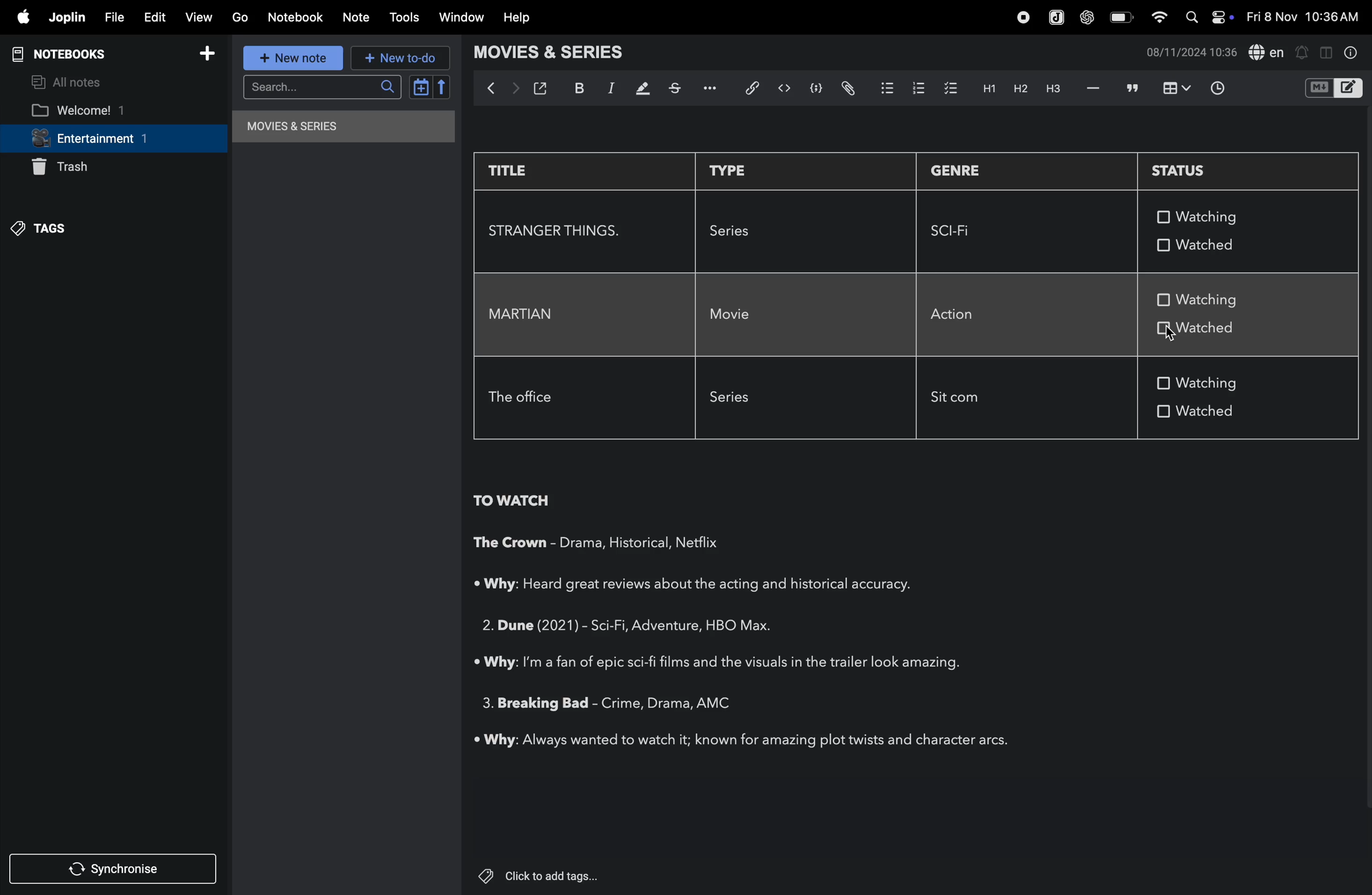  I want to click on check box, so click(1163, 330).